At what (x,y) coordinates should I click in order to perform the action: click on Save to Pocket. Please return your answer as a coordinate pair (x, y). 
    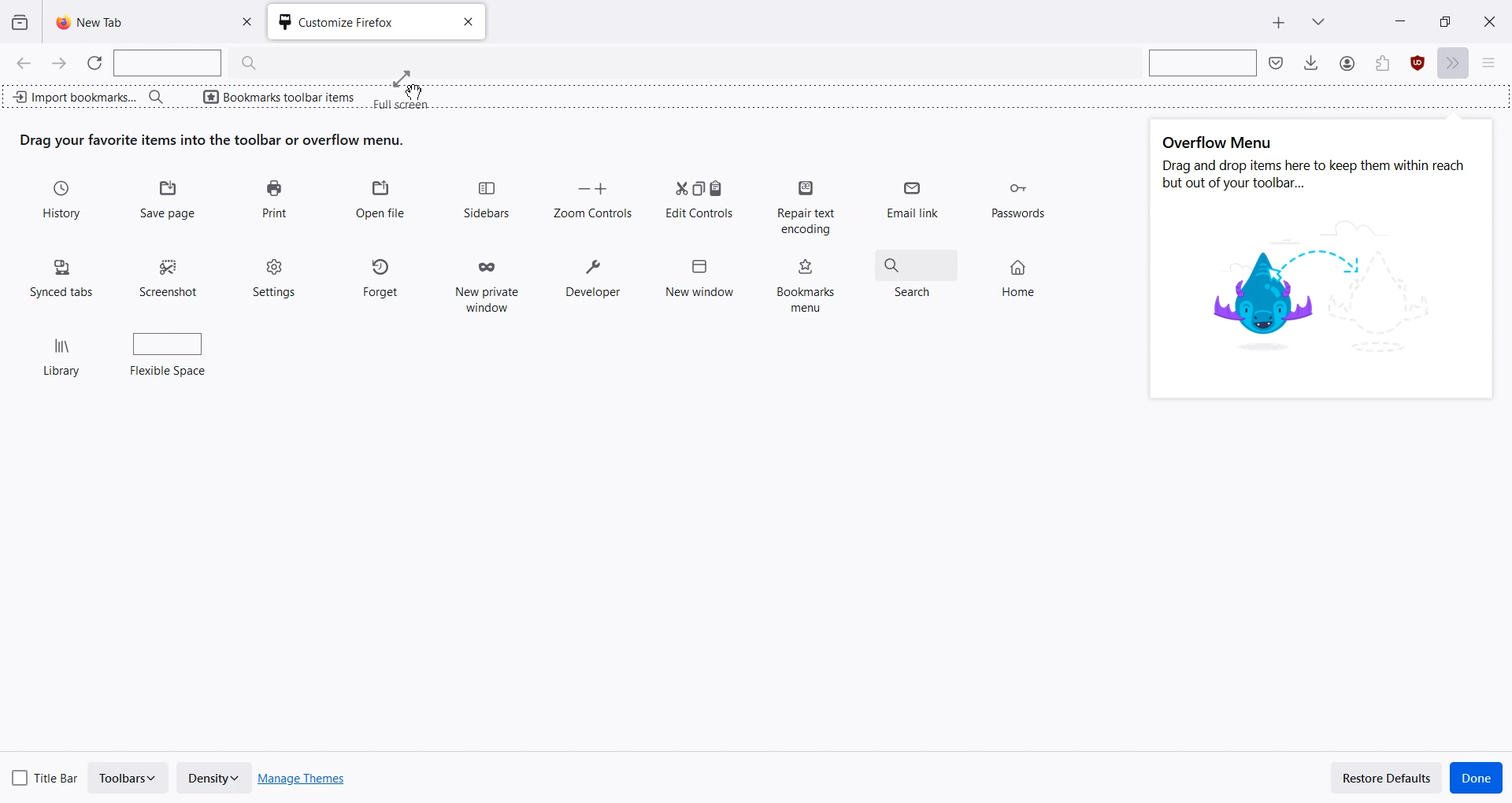
    Looking at the image, I should click on (1346, 63).